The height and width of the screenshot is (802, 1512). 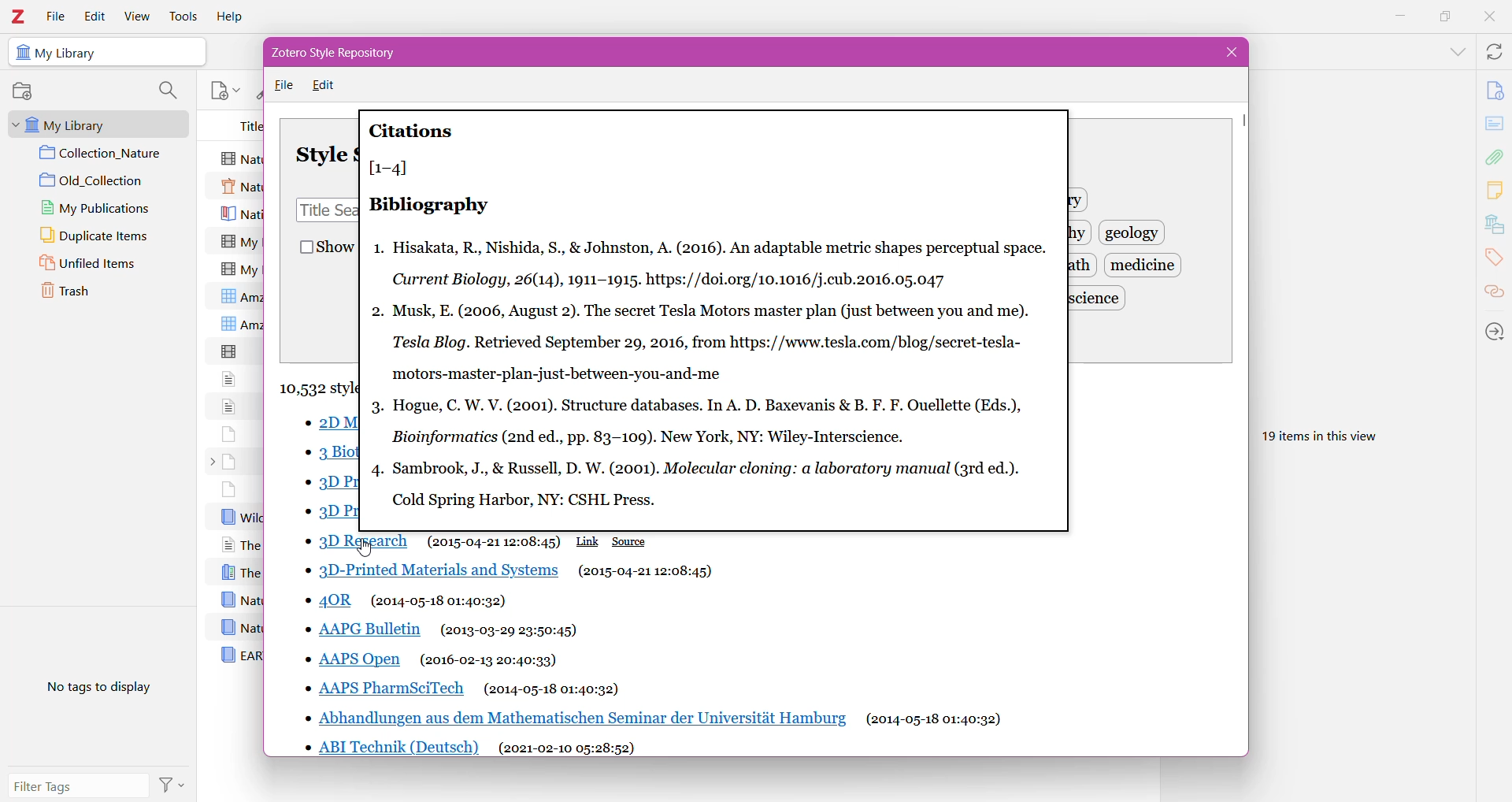 What do you see at coordinates (429, 204) in the screenshot?
I see `Bibliography` at bounding box center [429, 204].